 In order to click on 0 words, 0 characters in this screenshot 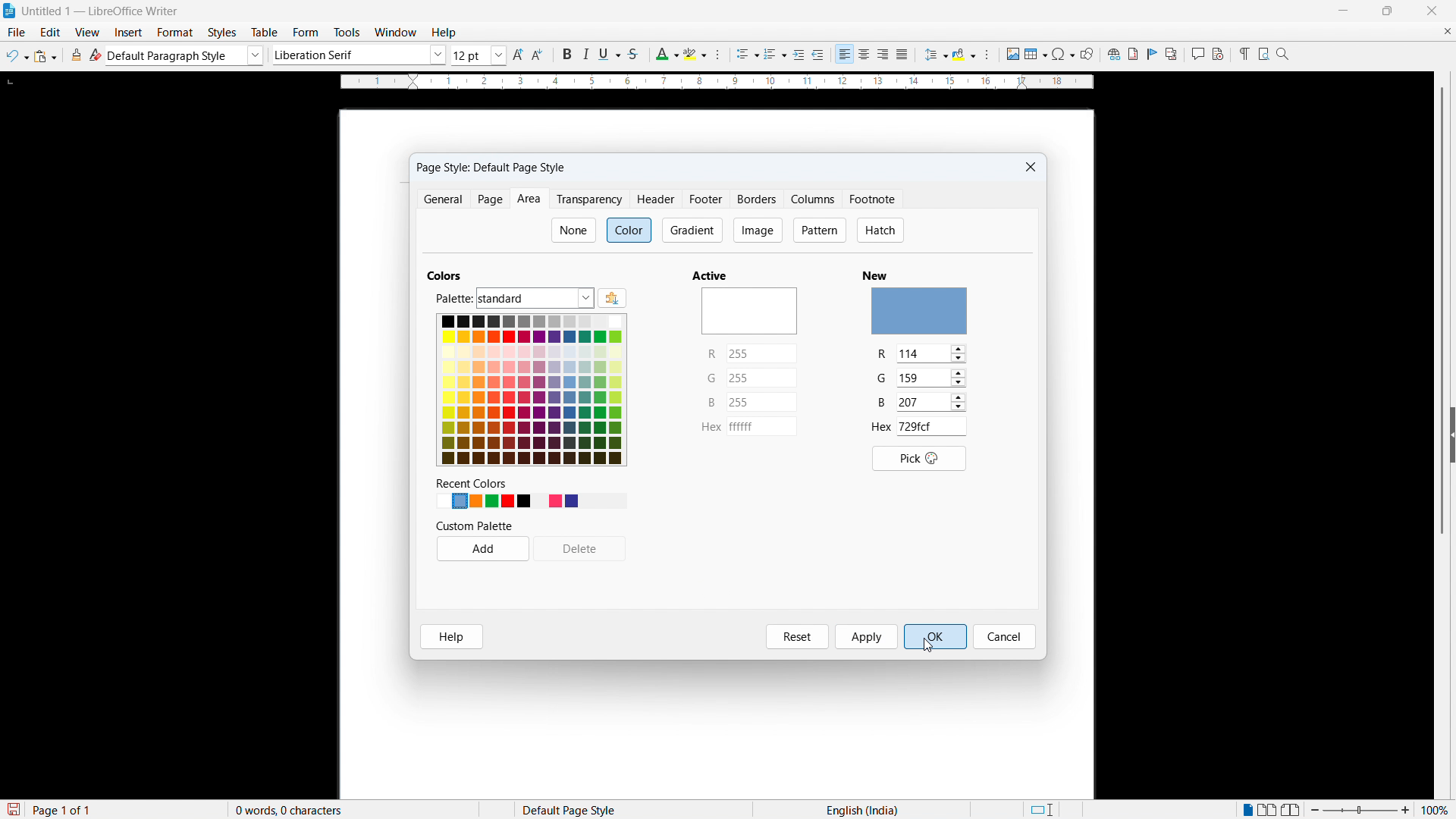, I will do `click(290, 810)`.